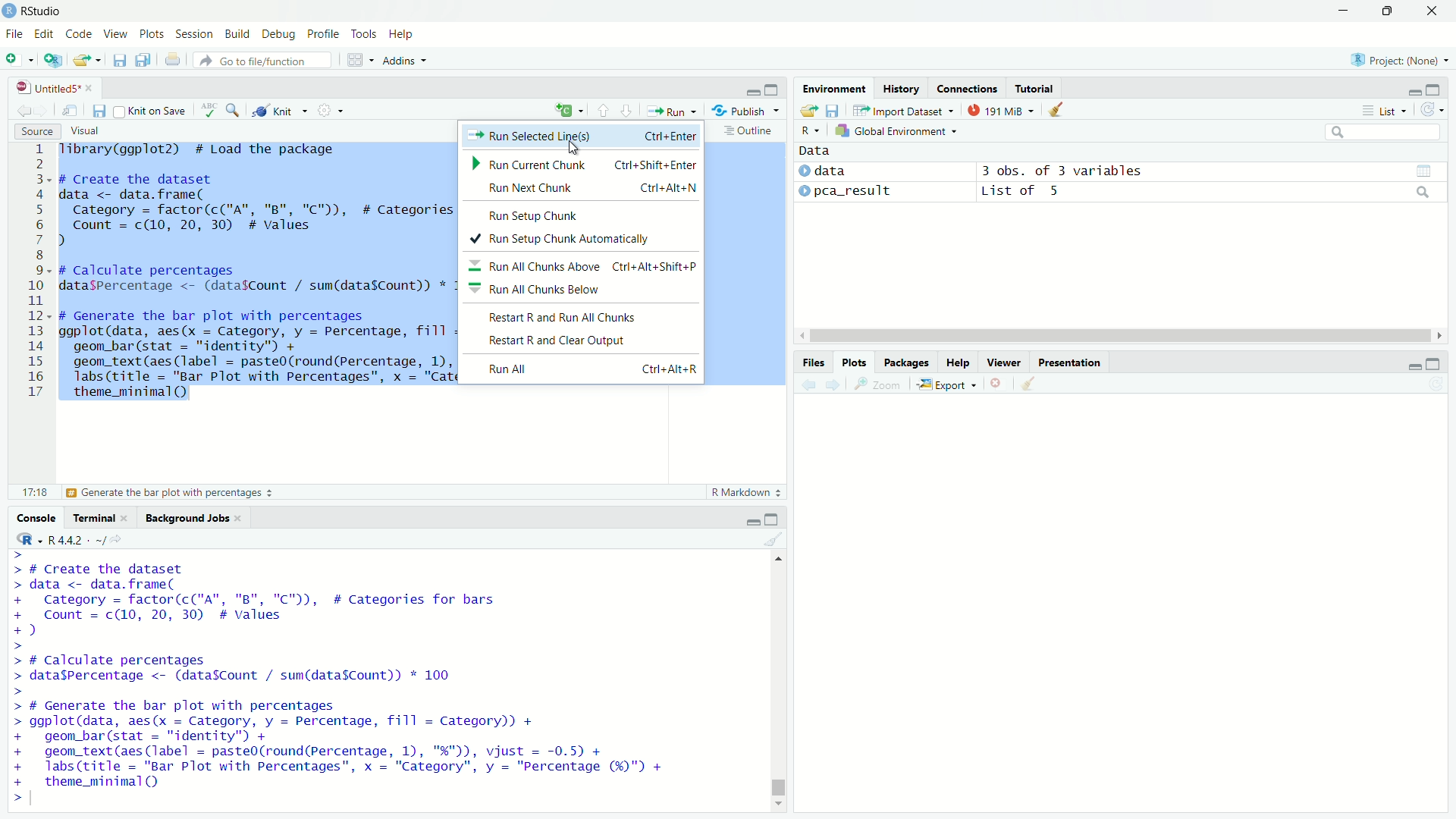 The image size is (1456, 819). I want to click on run next chunk, so click(583, 188).